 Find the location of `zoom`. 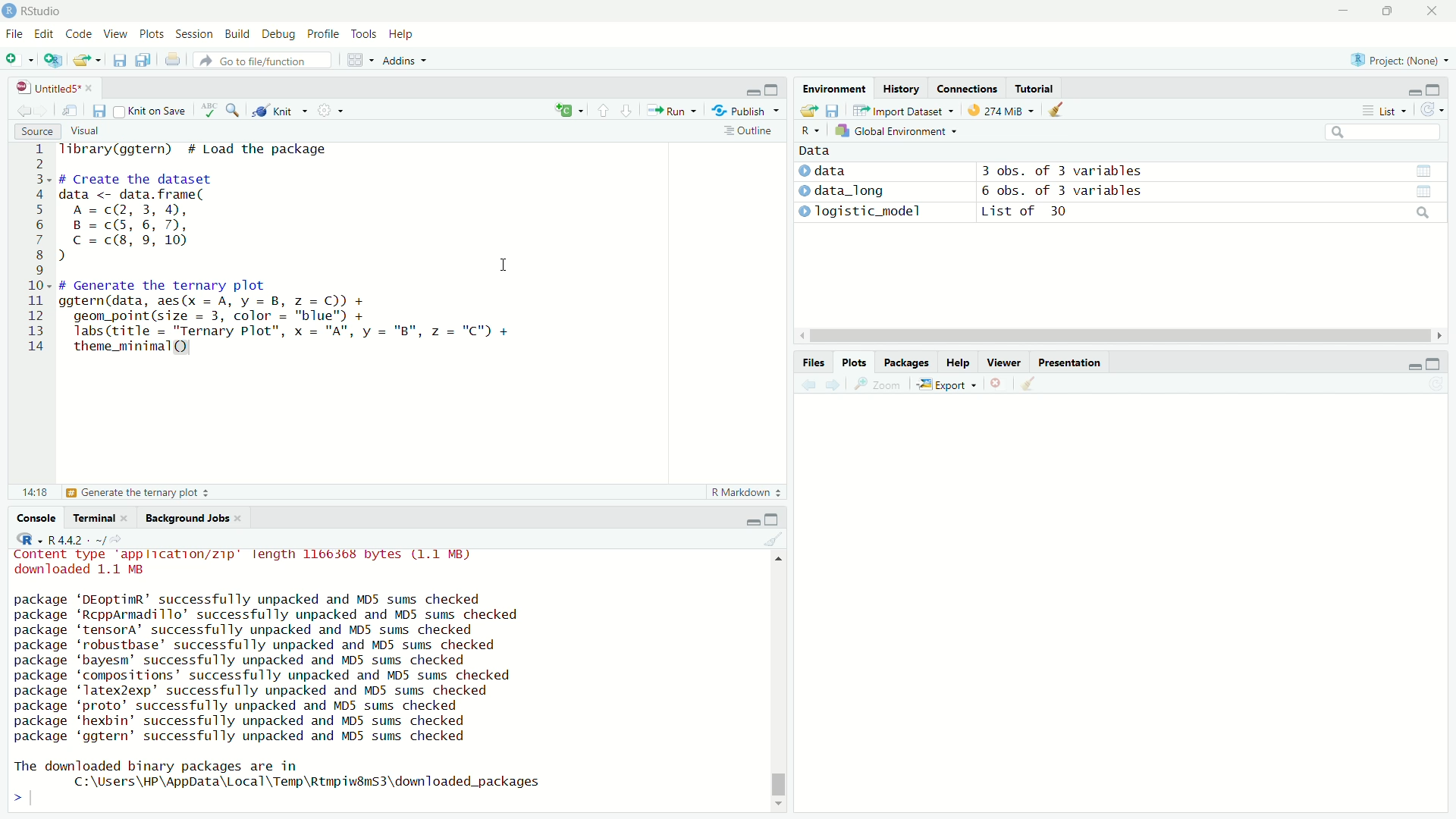

zoom is located at coordinates (880, 388).